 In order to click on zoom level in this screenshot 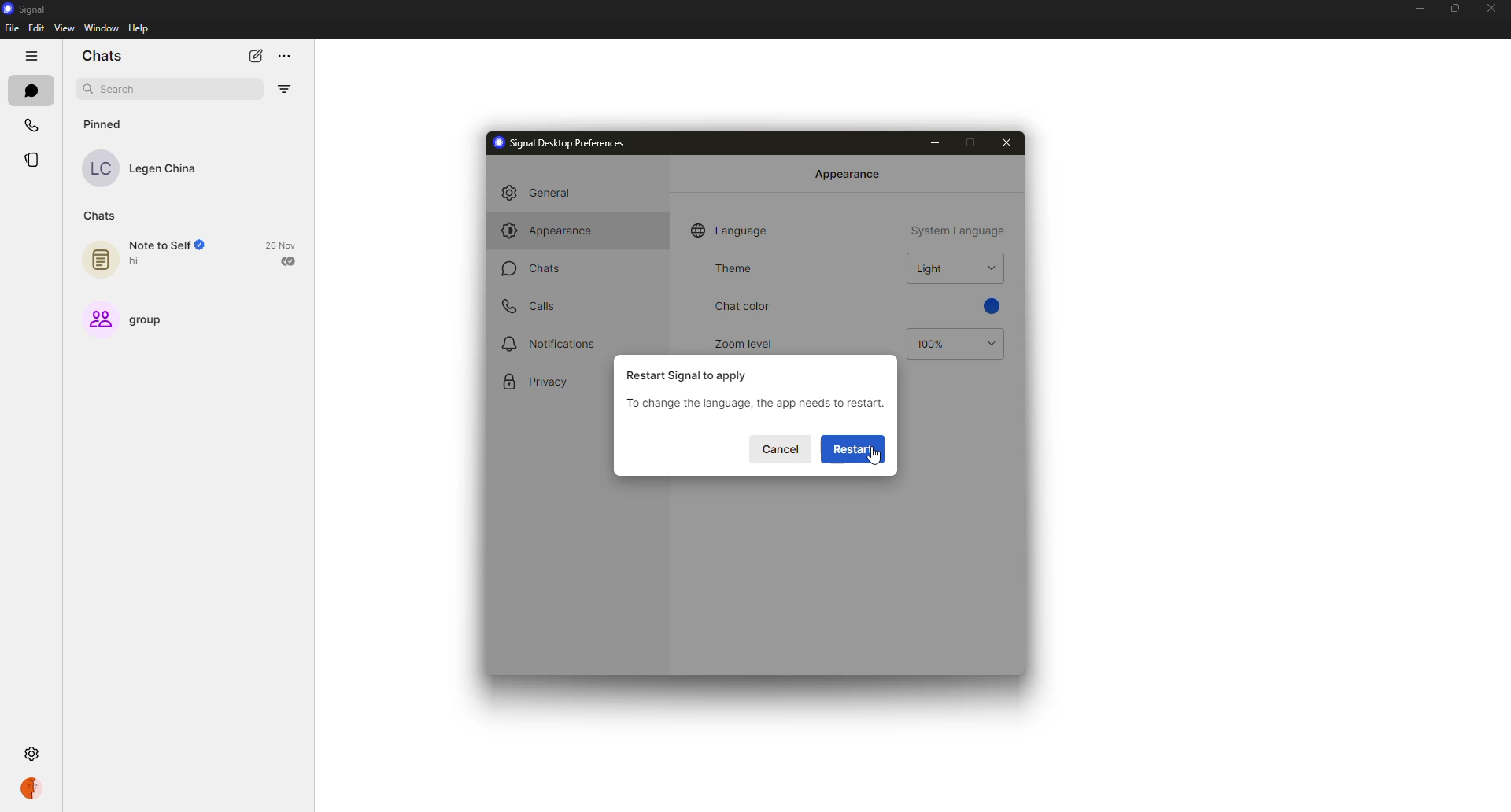, I will do `click(746, 342)`.